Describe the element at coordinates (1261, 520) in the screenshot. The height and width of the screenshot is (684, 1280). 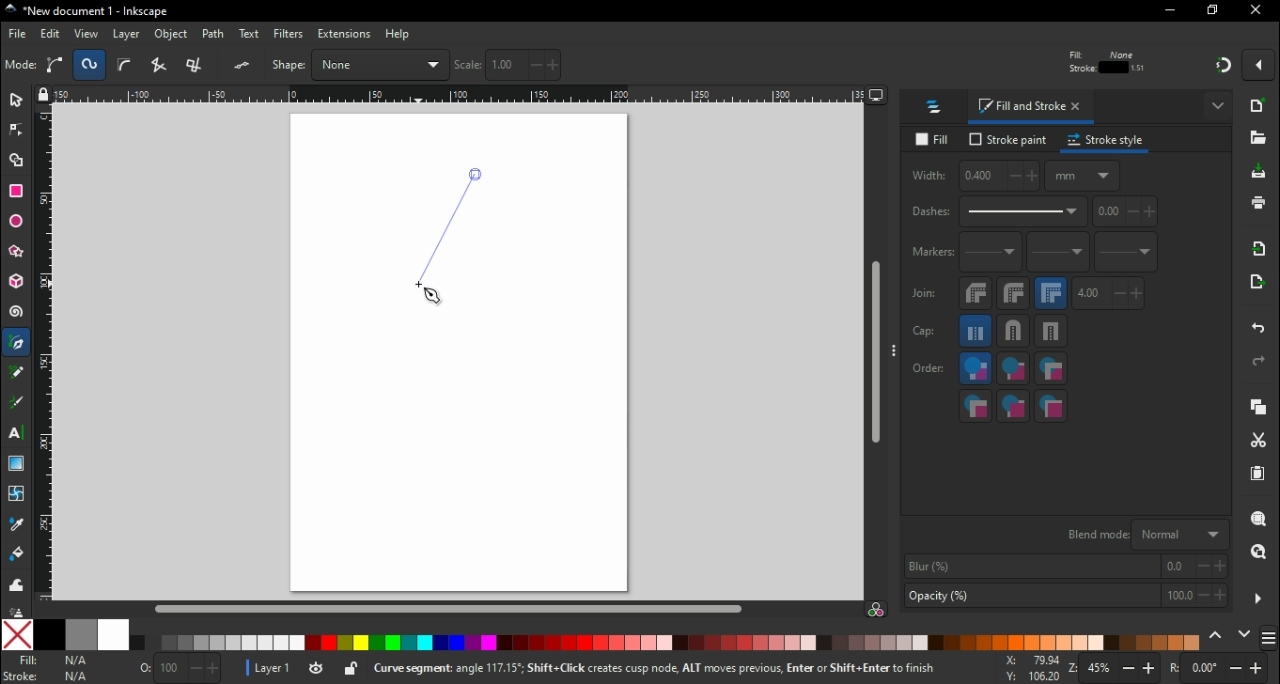
I see `zoom selection` at that location.